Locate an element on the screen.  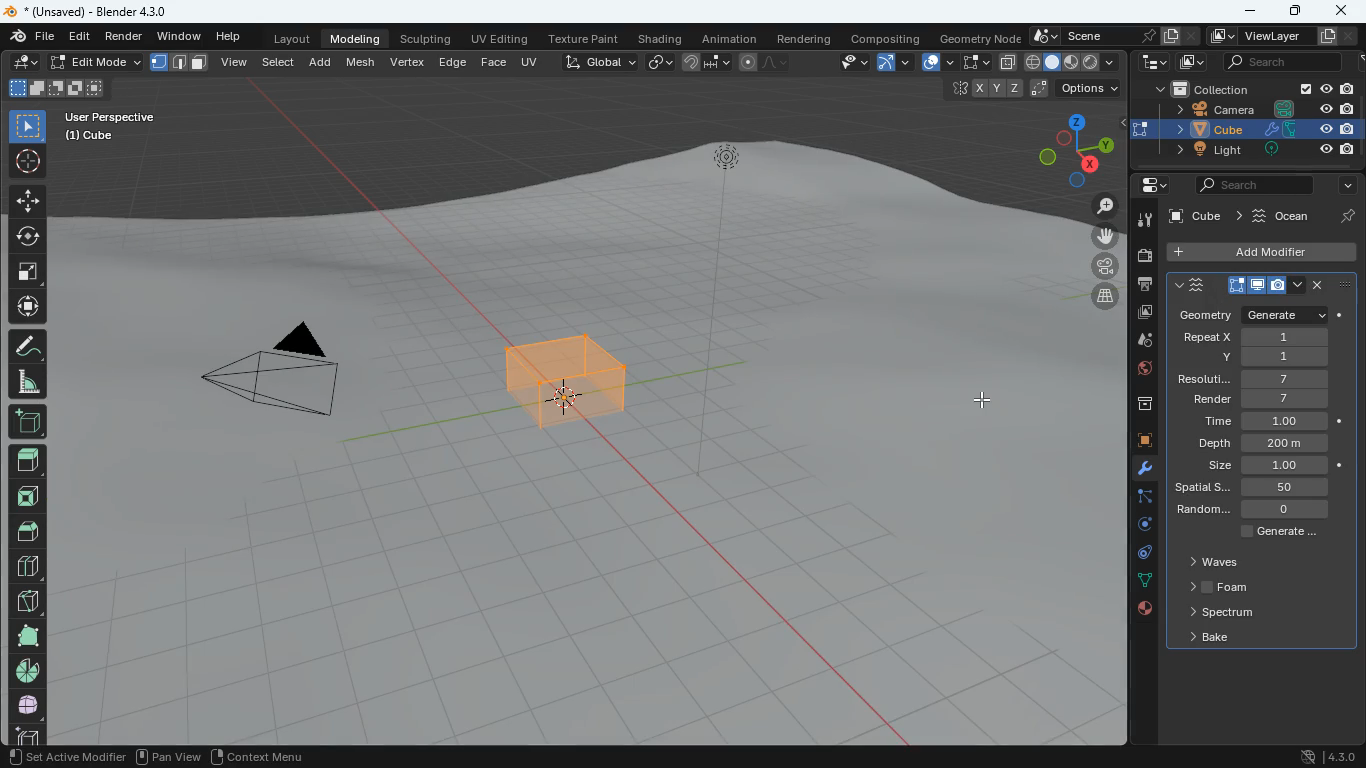
layout is located at coordinates (295, 37).